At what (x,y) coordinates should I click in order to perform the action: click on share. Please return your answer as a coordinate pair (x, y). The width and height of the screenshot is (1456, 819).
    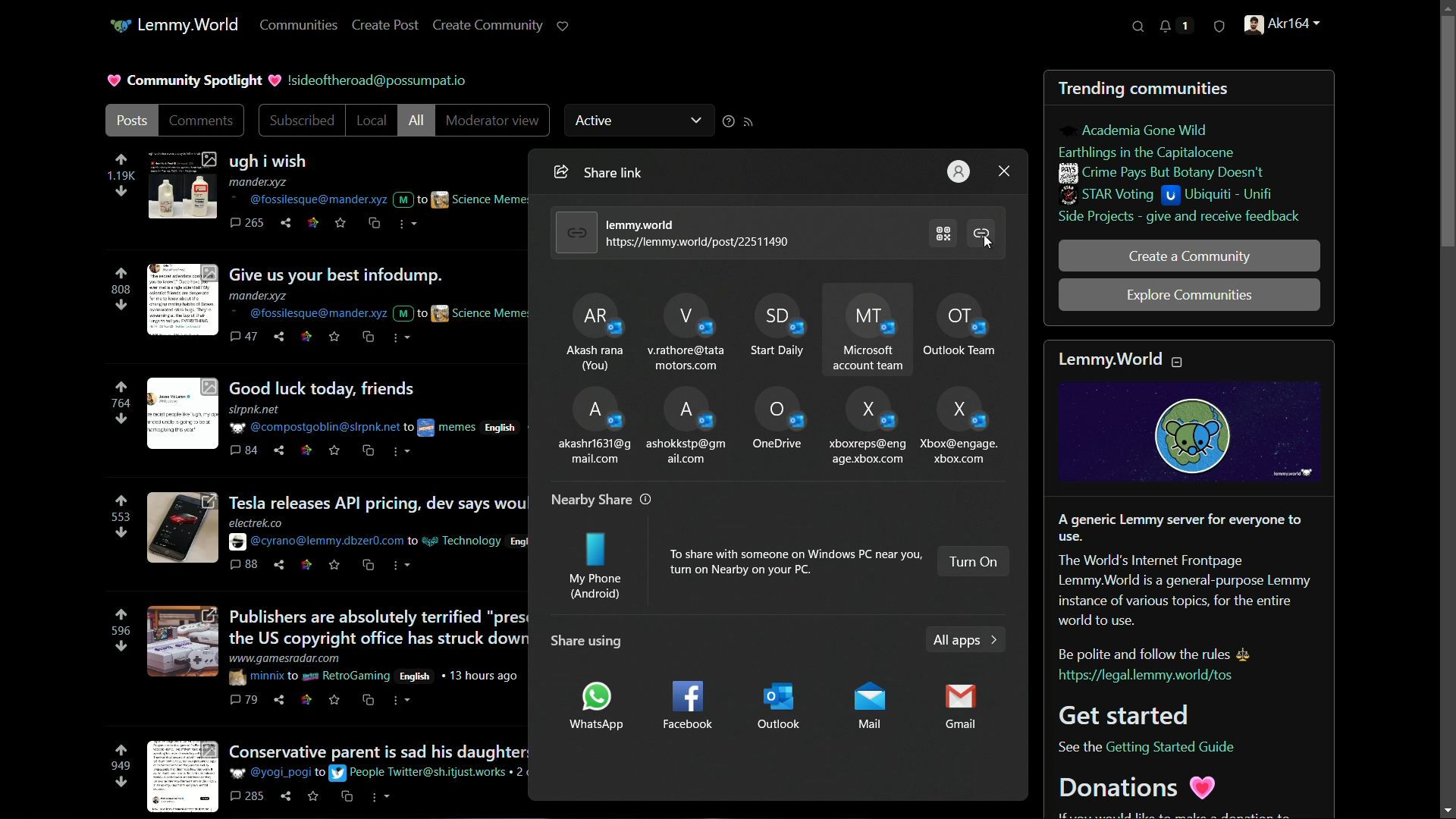
    Looking at the image, I should click on (281, 338).